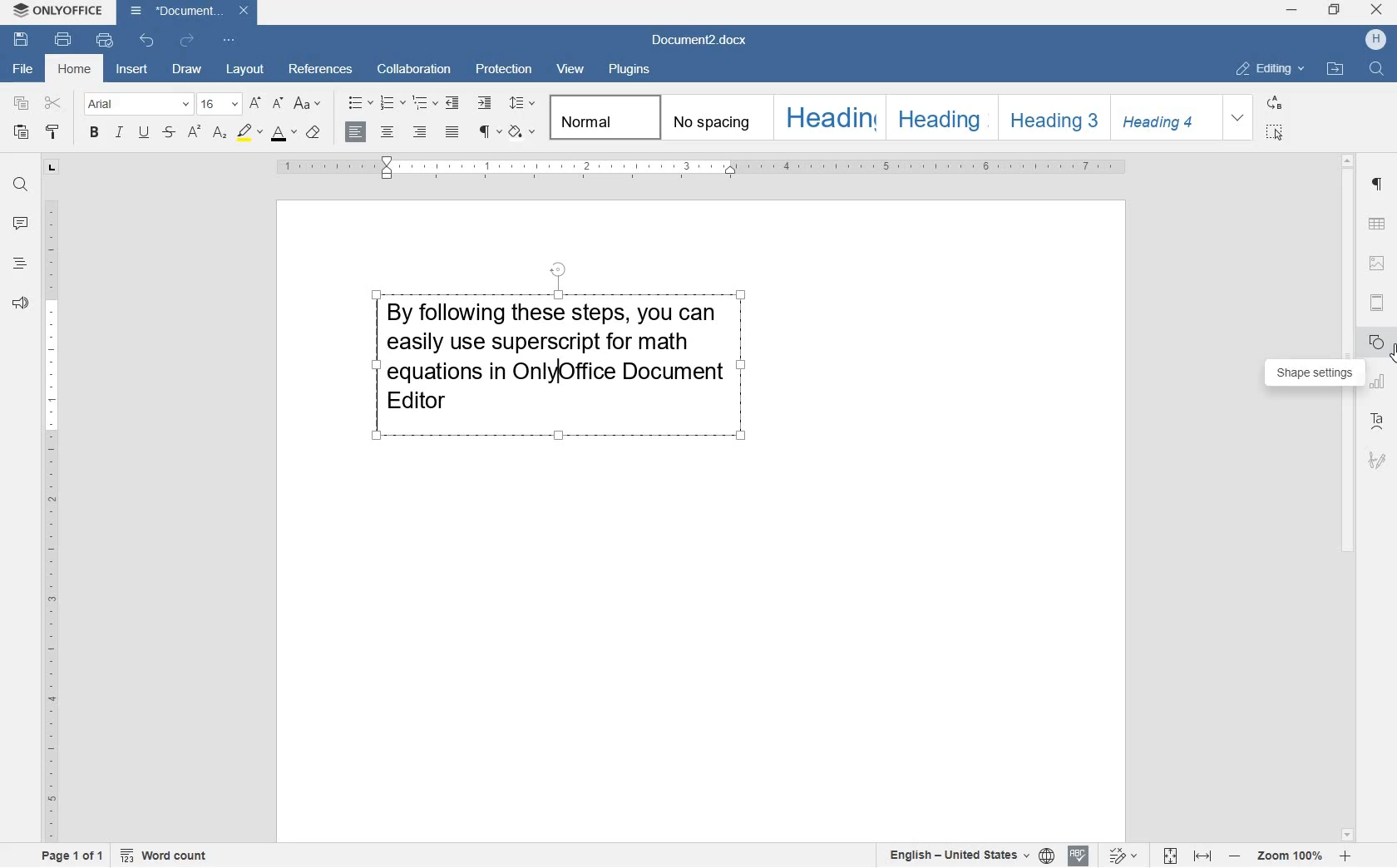  What do you see at coordinates (1291, 8) in the screenshot?
I see `minimize` at bounding box center [1291, 8].